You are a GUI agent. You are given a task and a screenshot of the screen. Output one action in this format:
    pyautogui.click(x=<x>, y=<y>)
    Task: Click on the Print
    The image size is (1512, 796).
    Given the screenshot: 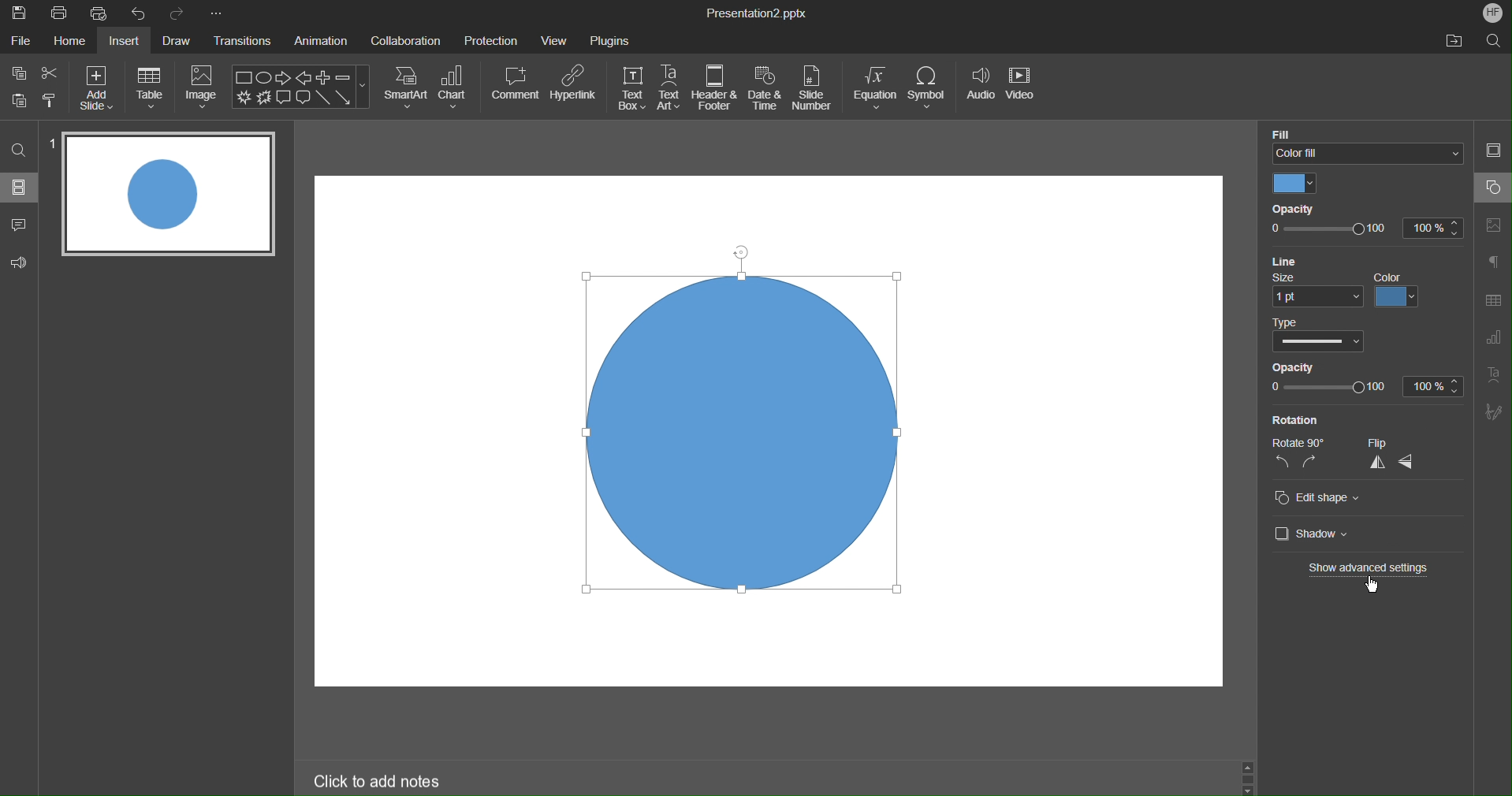 What is the action you would take?
    pyautogui.click(x=59, y=14)
    